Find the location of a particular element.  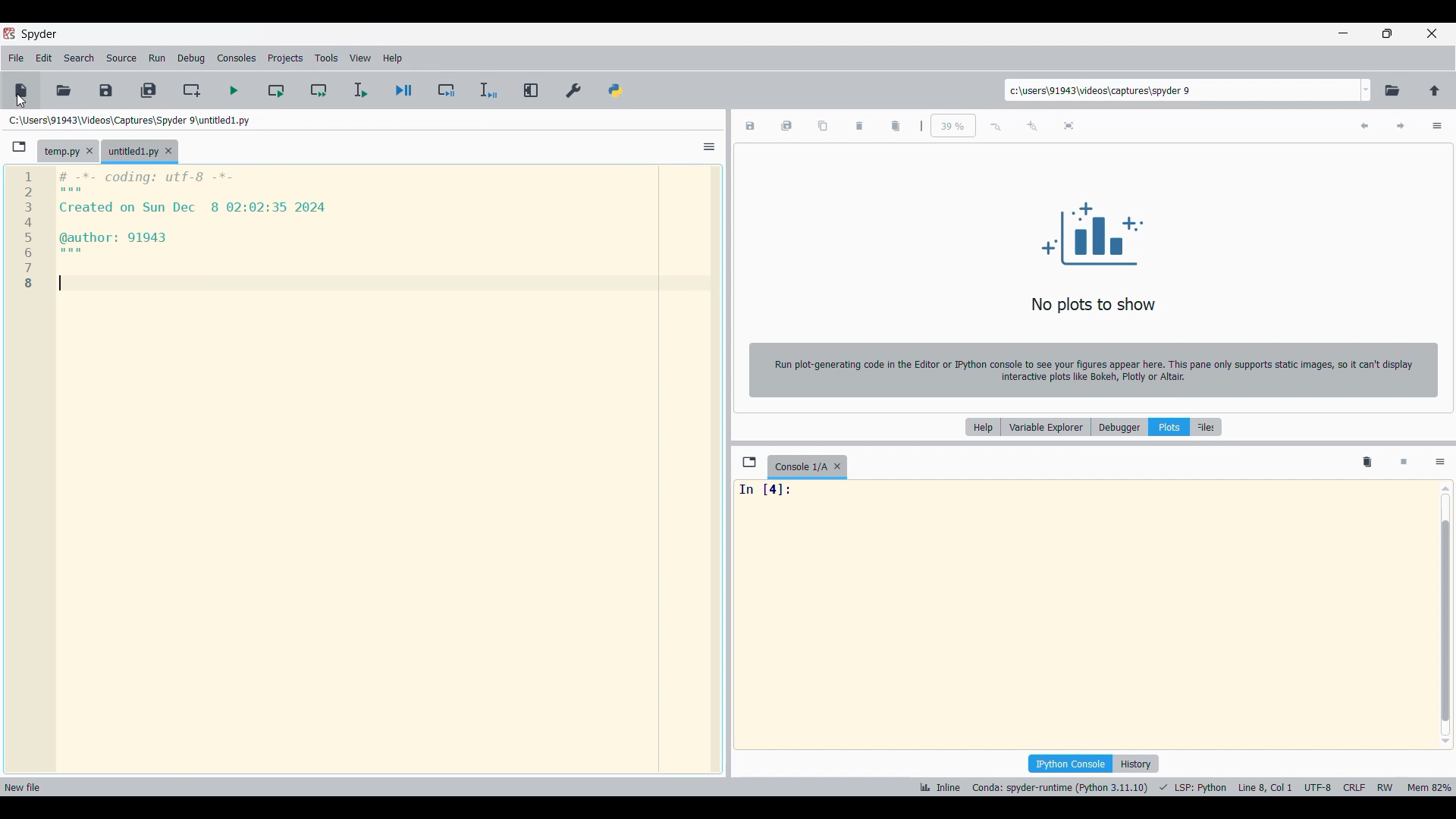

Current tab is located at coordinates (60, 151).